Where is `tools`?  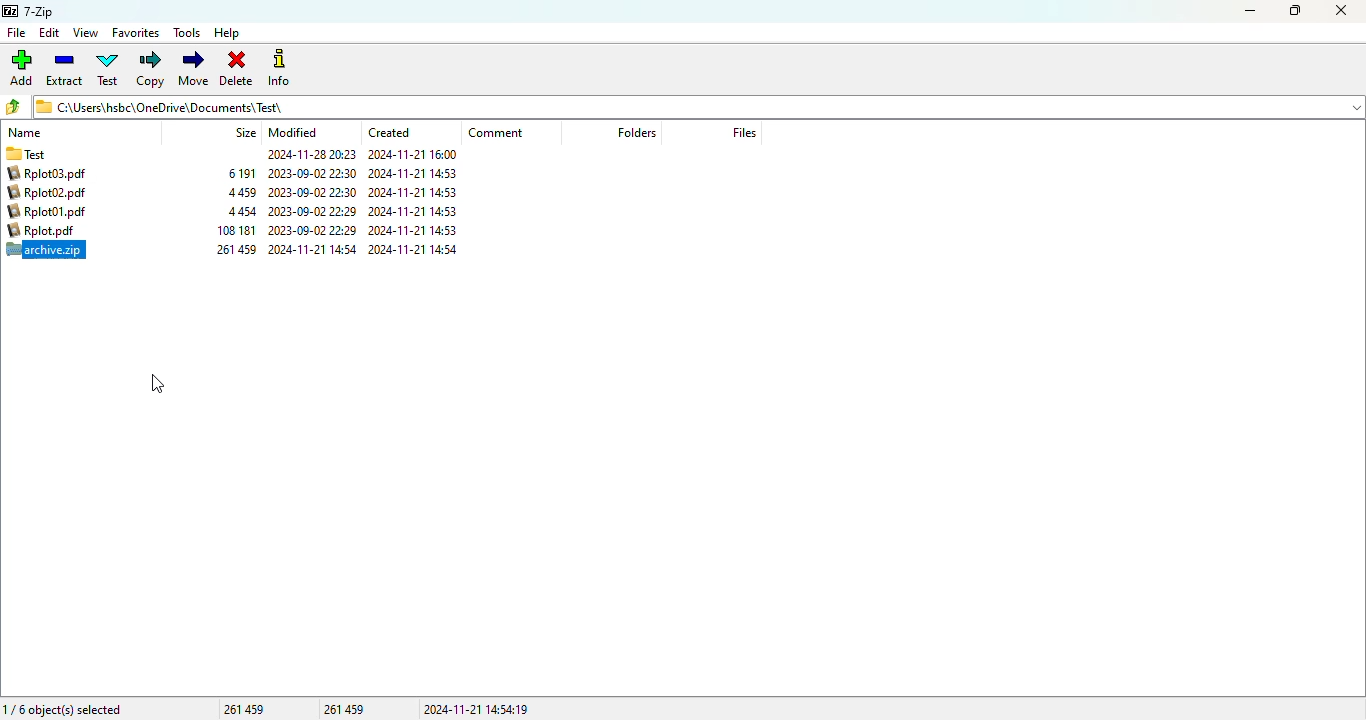
tools is located at coordinates (187, 33).